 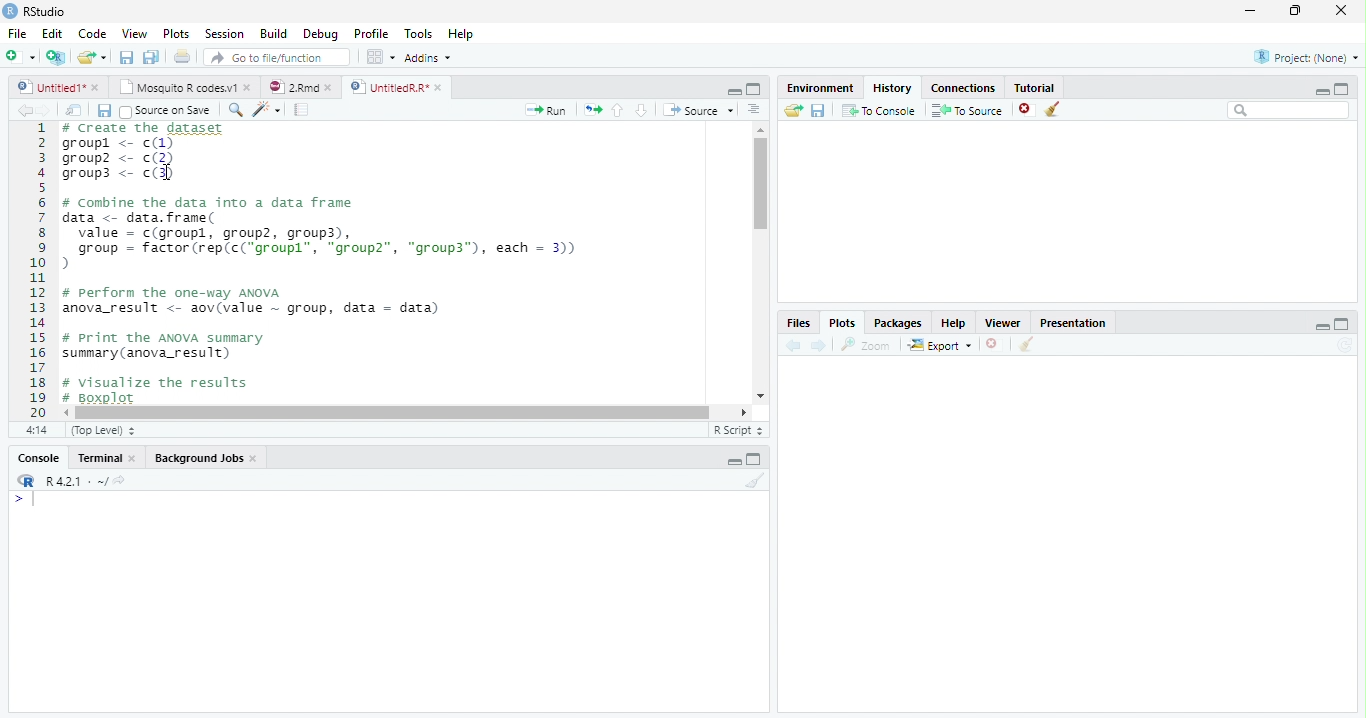 What do you see at coordinates (299, 85) in the screenshot?
I see `2Rmd` at bounding box center [299, 85].